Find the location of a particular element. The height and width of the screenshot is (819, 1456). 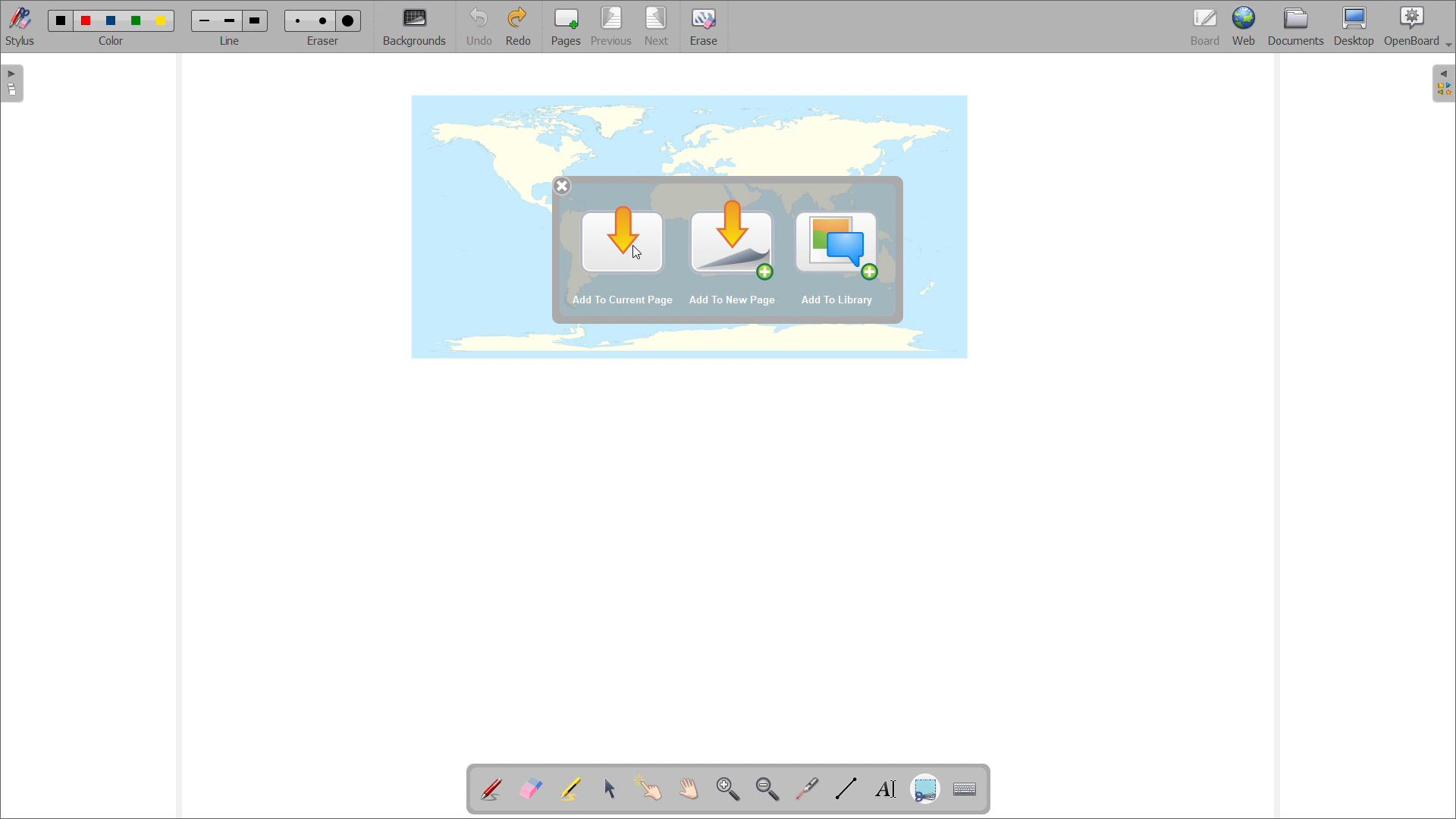

previous page is located at coordinates (611, 26).